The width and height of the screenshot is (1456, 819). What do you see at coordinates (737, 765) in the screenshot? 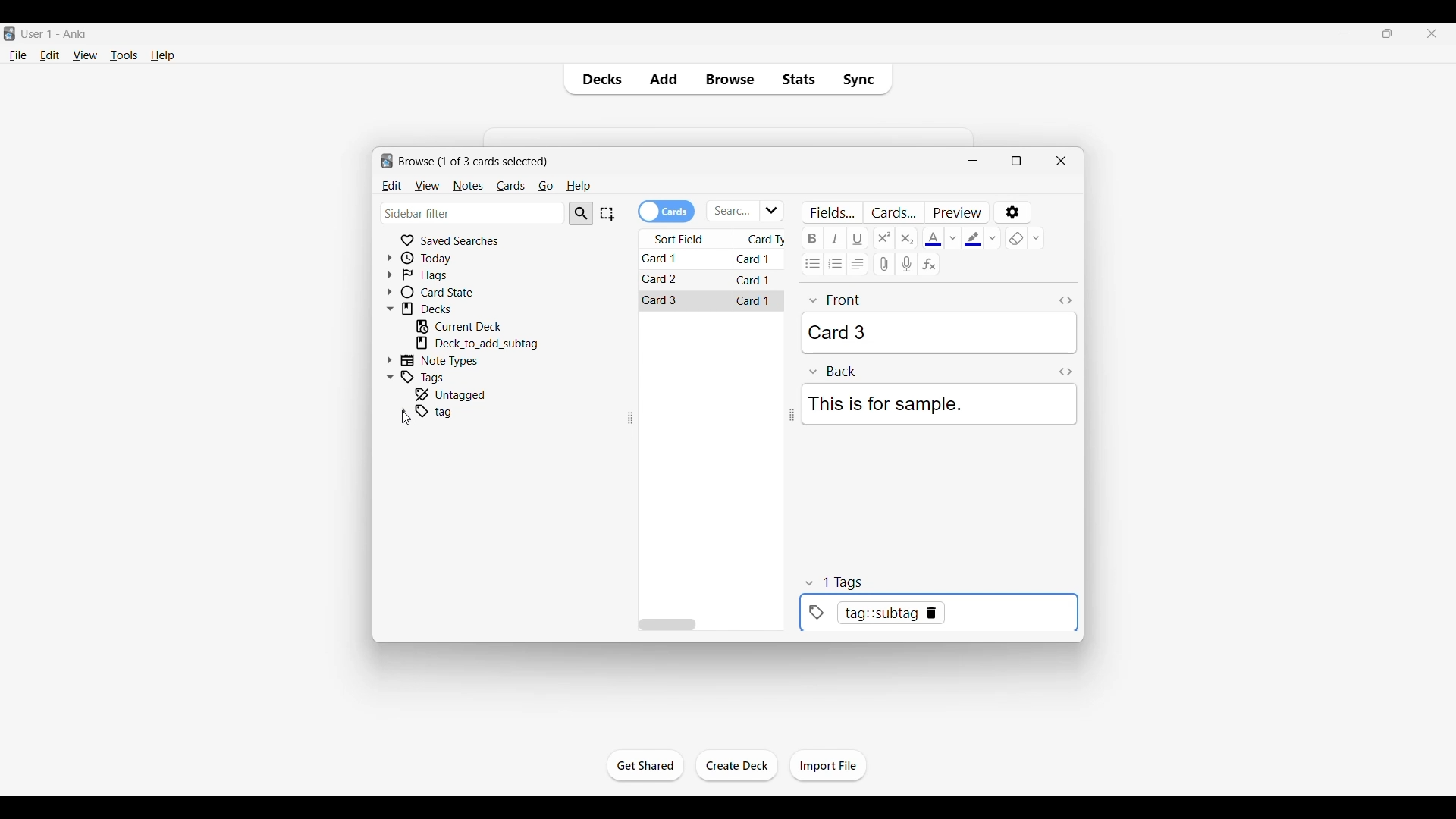
I see `Click to create another deck` at bounding box center [737, 765].